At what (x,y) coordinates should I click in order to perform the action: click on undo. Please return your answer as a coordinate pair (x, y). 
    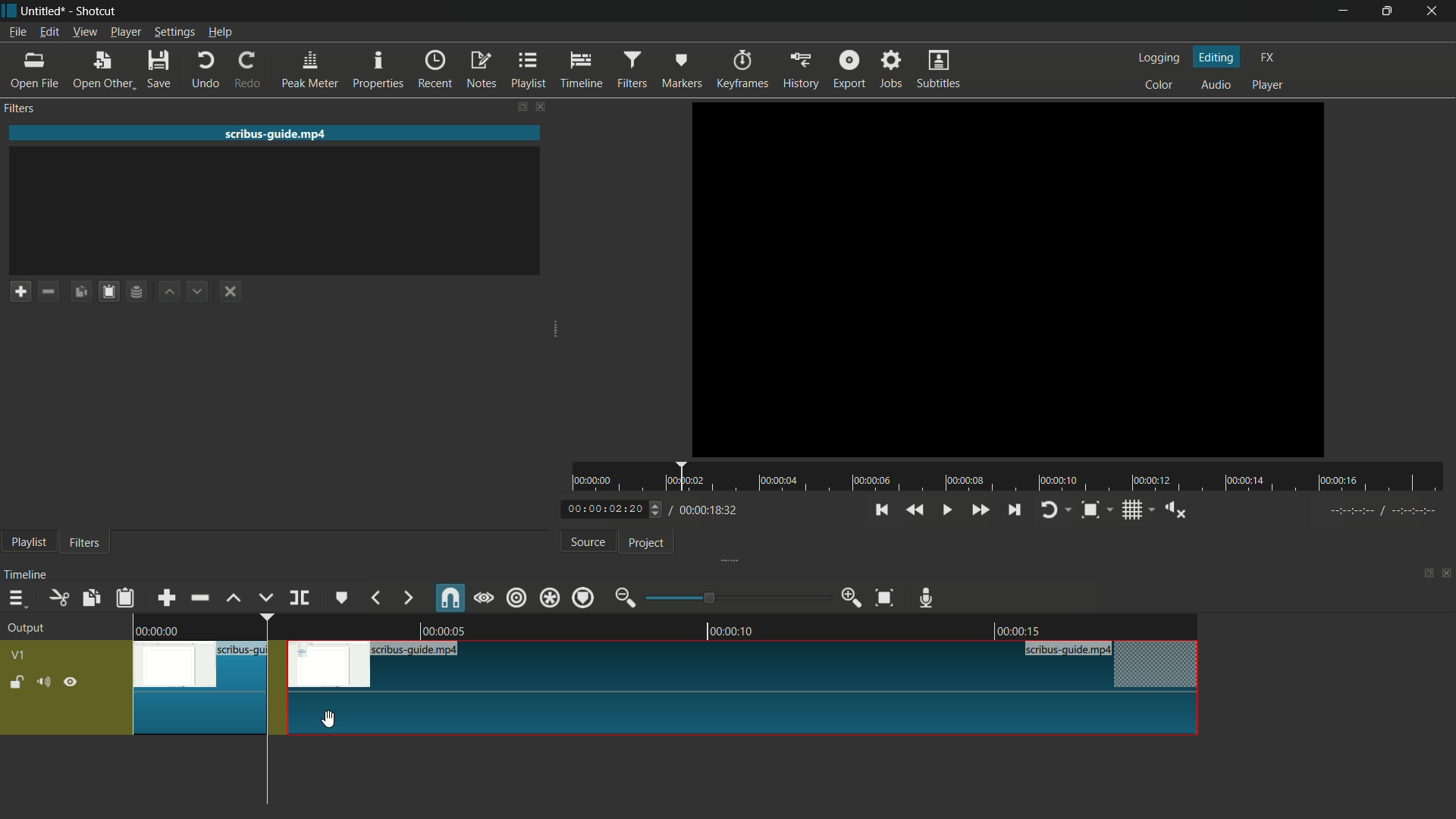
    Looking at the image, I should click on (209, 69).